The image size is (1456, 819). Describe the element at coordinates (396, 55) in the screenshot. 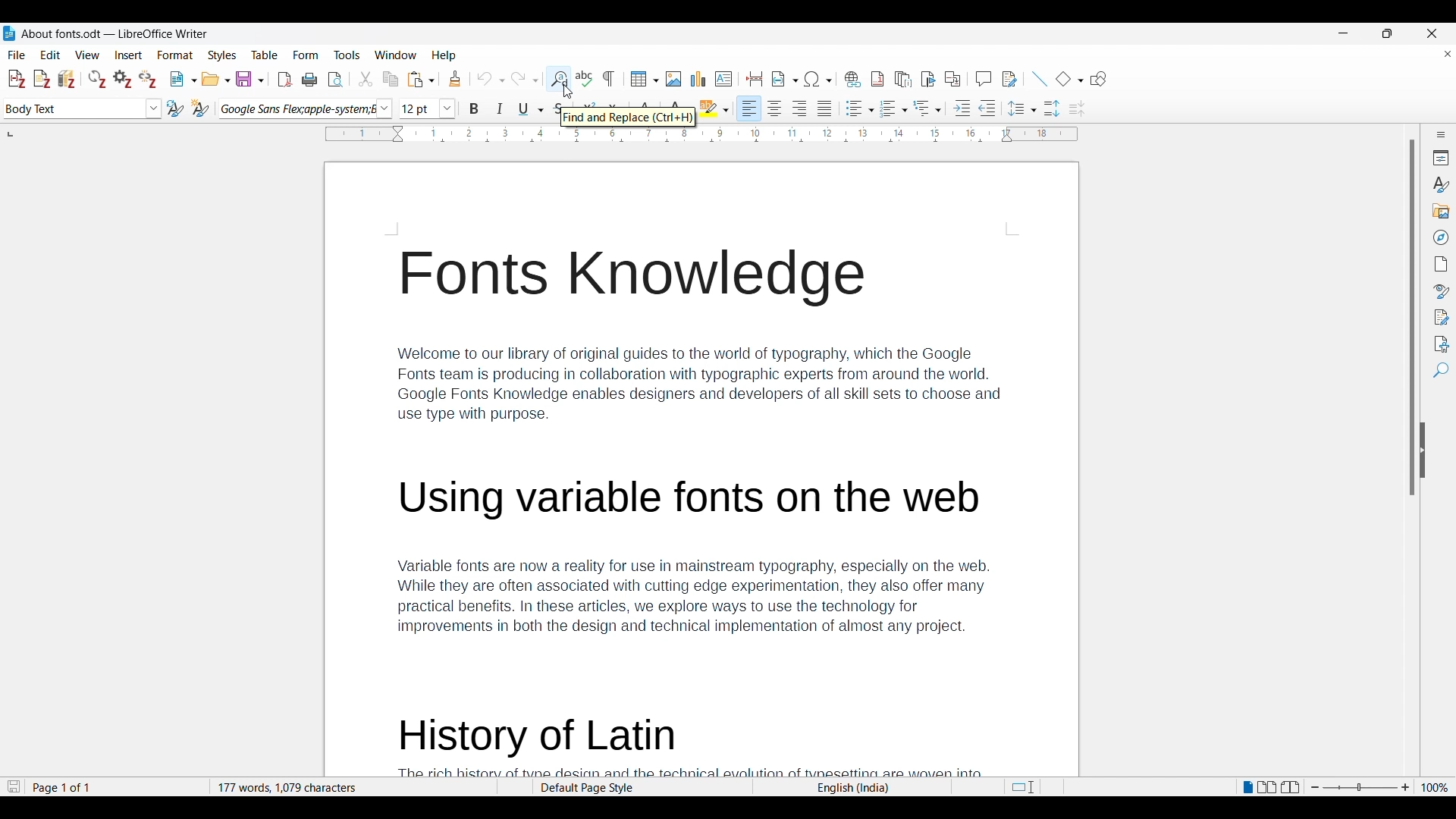

I see `Window menu` at that location.